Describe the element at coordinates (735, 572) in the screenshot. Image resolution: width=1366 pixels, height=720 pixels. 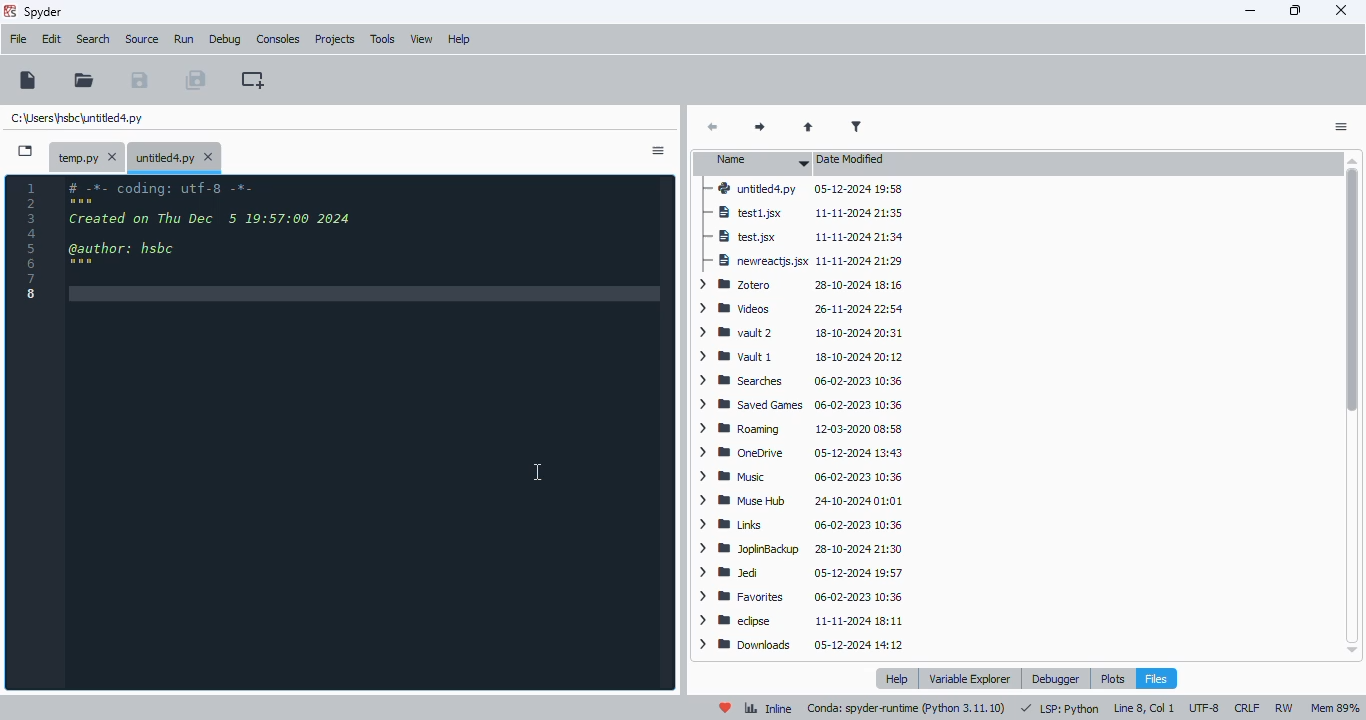
I see `Jedi` at that location.